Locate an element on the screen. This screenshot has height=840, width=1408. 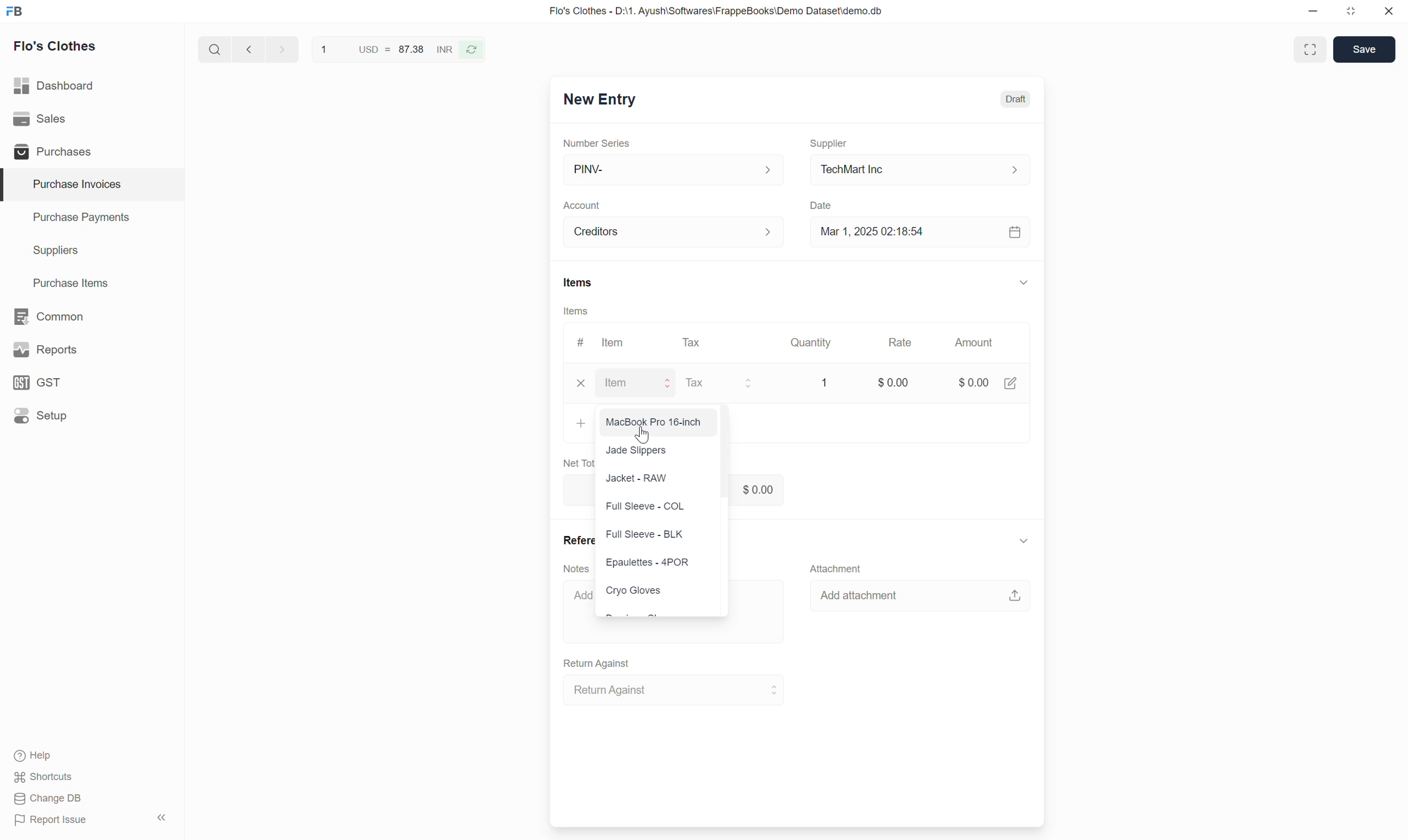
Number Series is located at coordinates (597, 143).